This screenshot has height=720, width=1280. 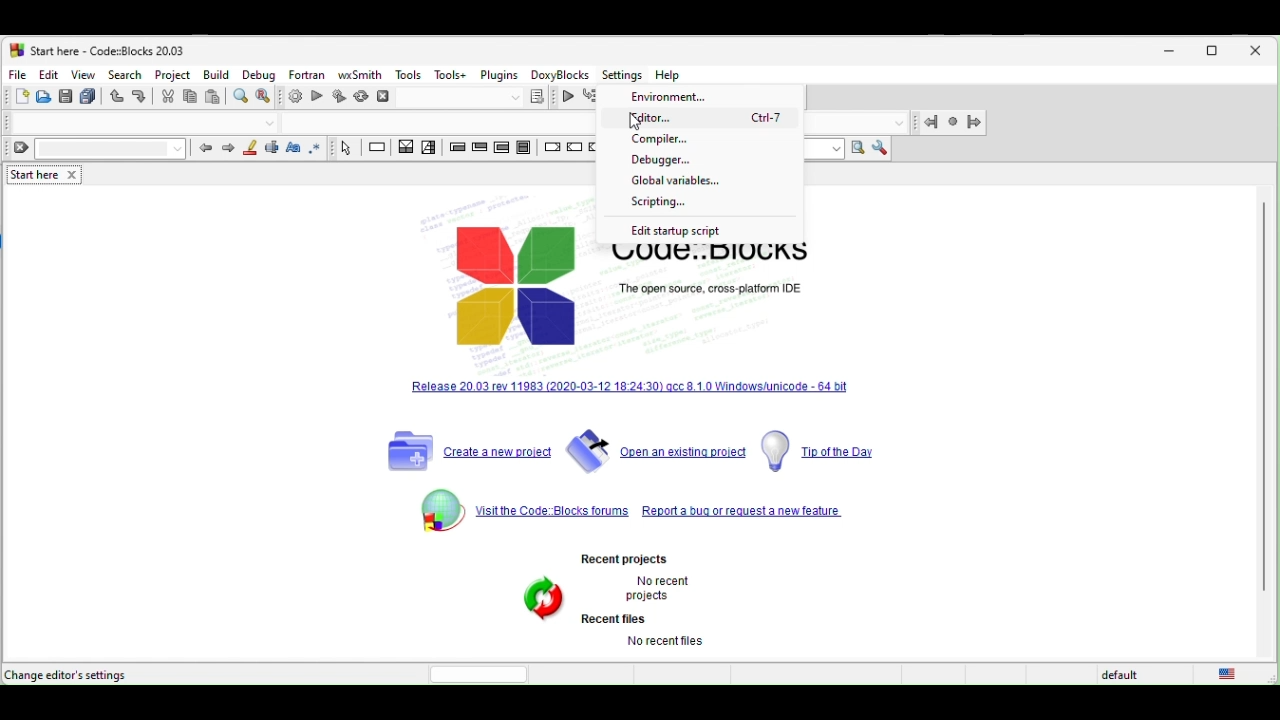 I want to click on highlight, so click(x=251, y=148).